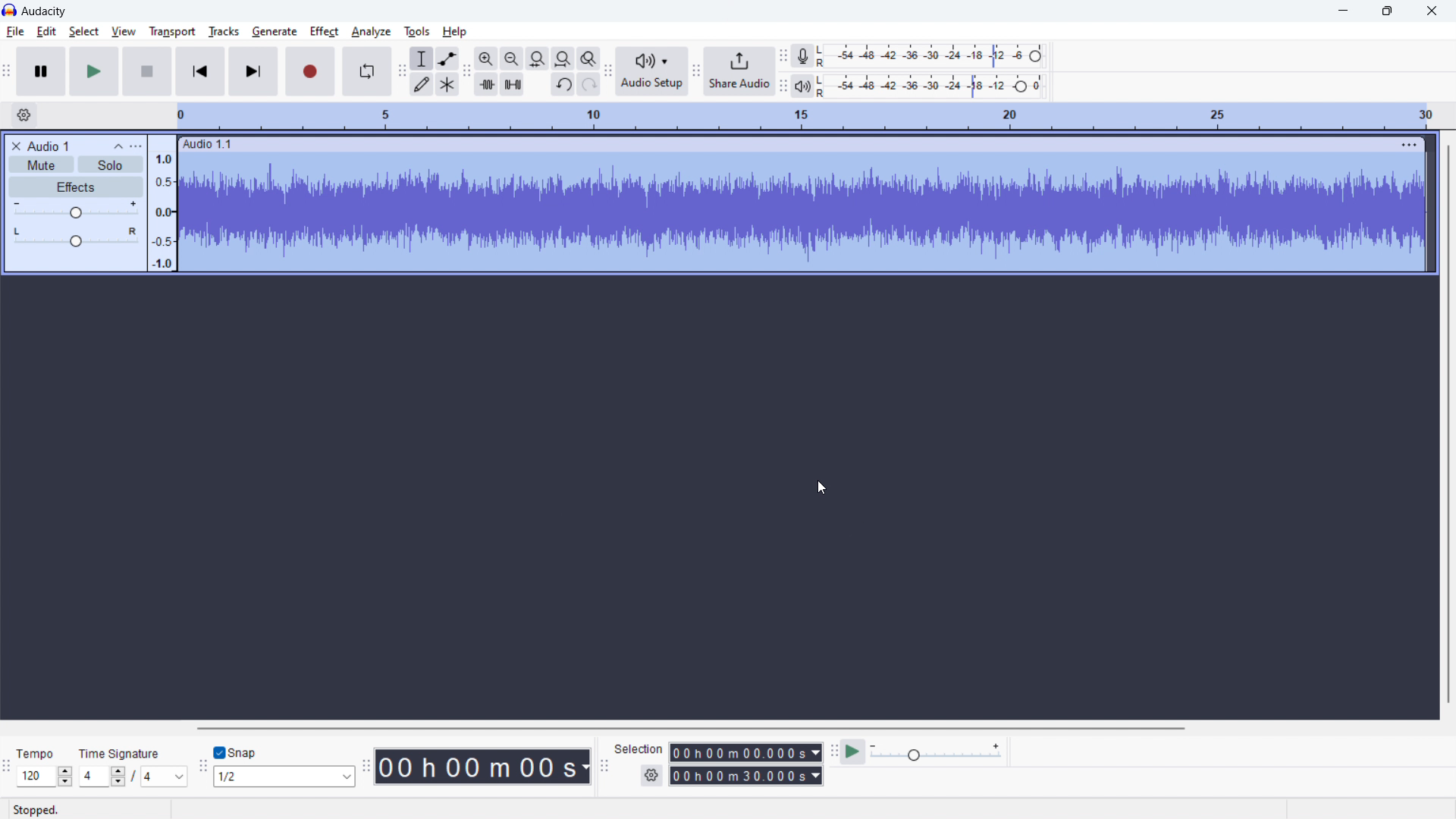 The width and height of the screenshot is (1456, 819). Describe the element at coordinates (802, 214) in the screenshot. I see `audio wave form` at that location.